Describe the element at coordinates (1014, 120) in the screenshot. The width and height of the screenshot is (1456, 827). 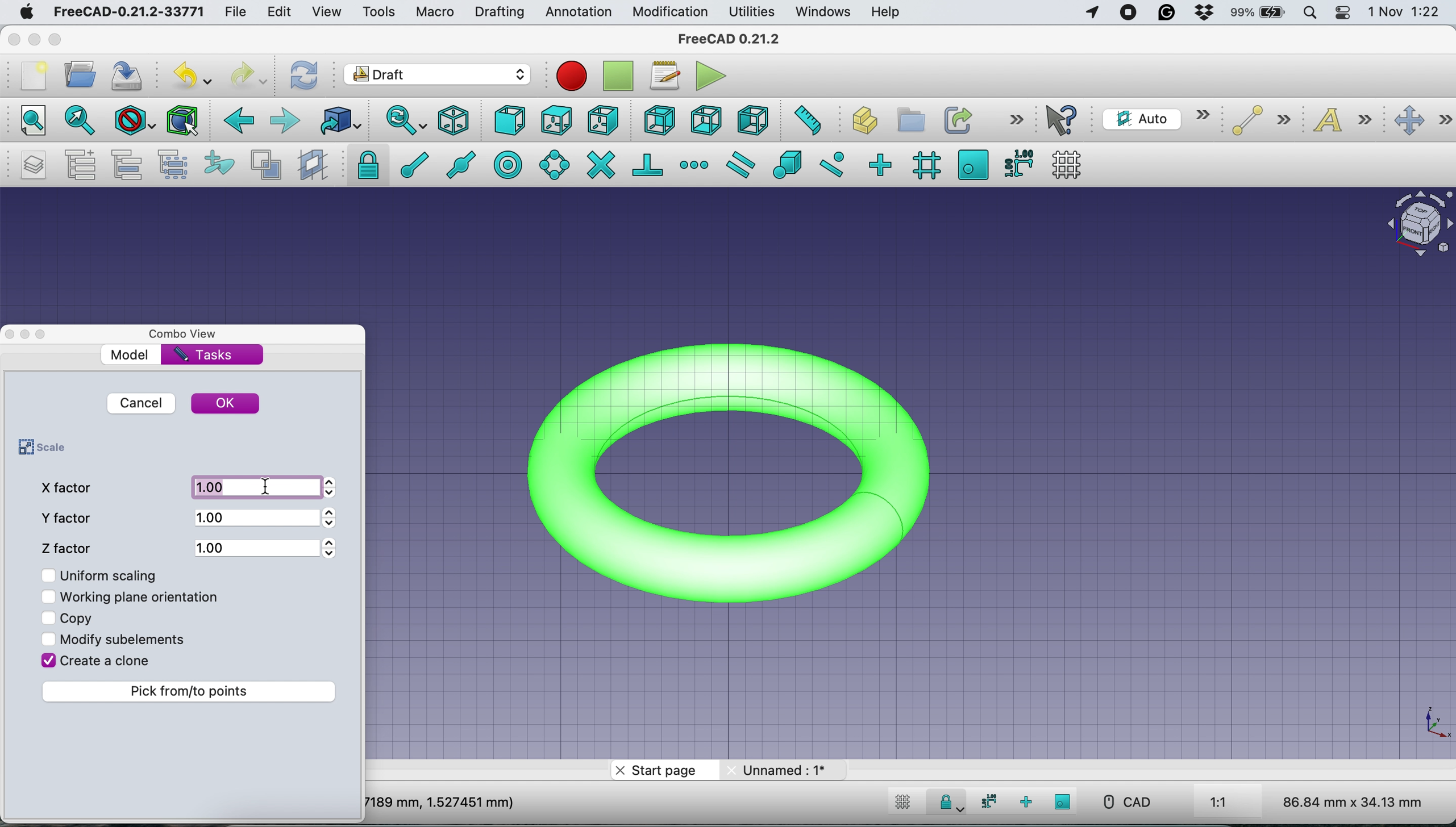
I see `more options` at that location.